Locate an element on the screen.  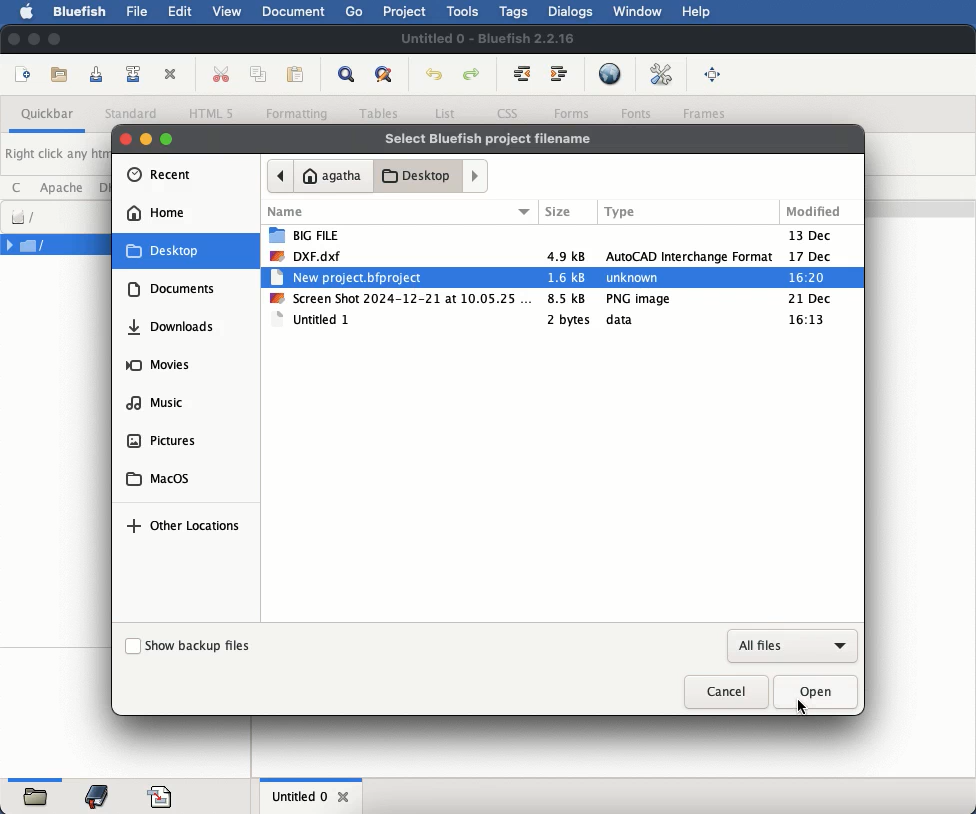
undo is located at coordinates (434, 75).